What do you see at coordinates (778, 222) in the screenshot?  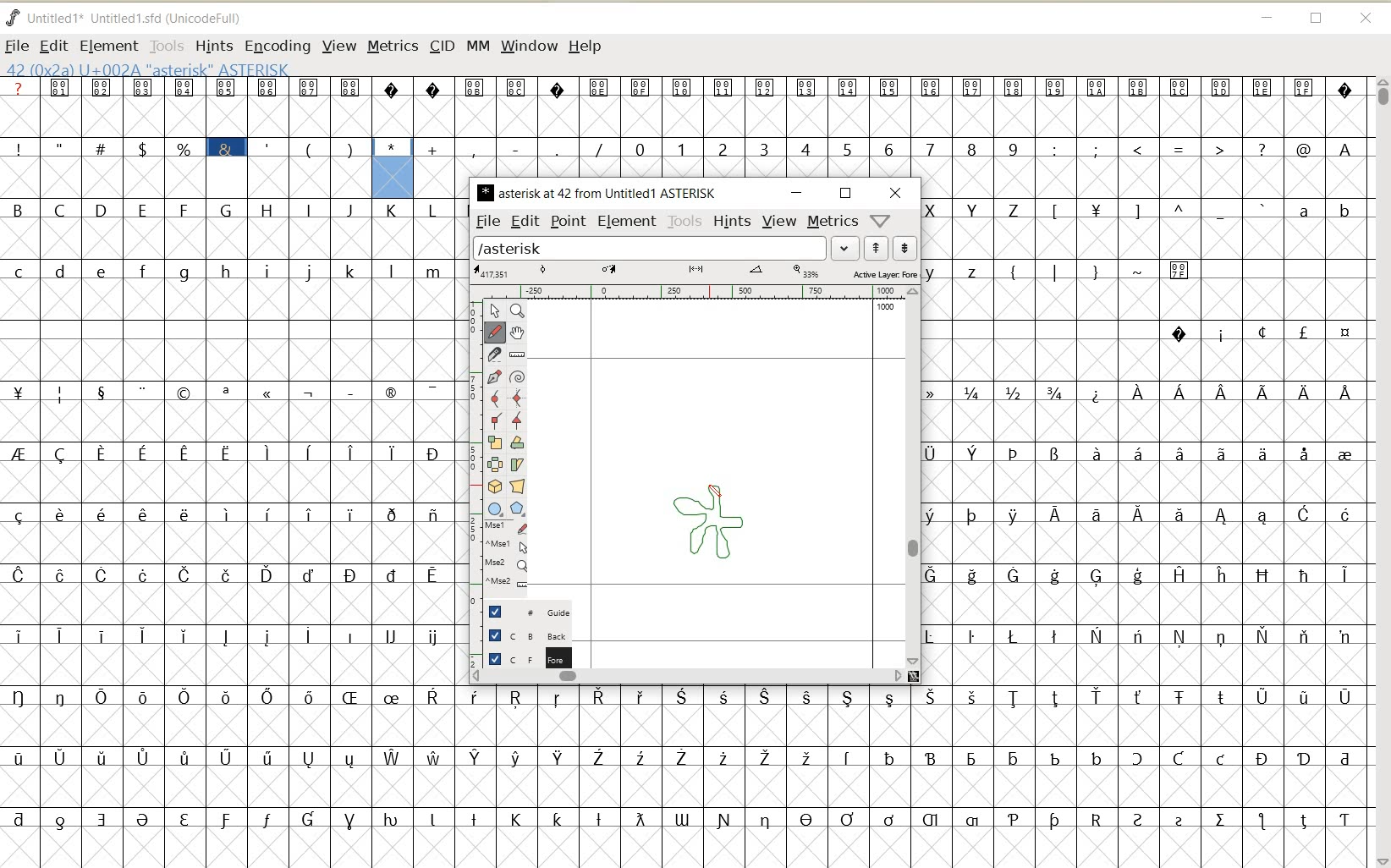 I see `VIEW` at bounding box center [778, 222].